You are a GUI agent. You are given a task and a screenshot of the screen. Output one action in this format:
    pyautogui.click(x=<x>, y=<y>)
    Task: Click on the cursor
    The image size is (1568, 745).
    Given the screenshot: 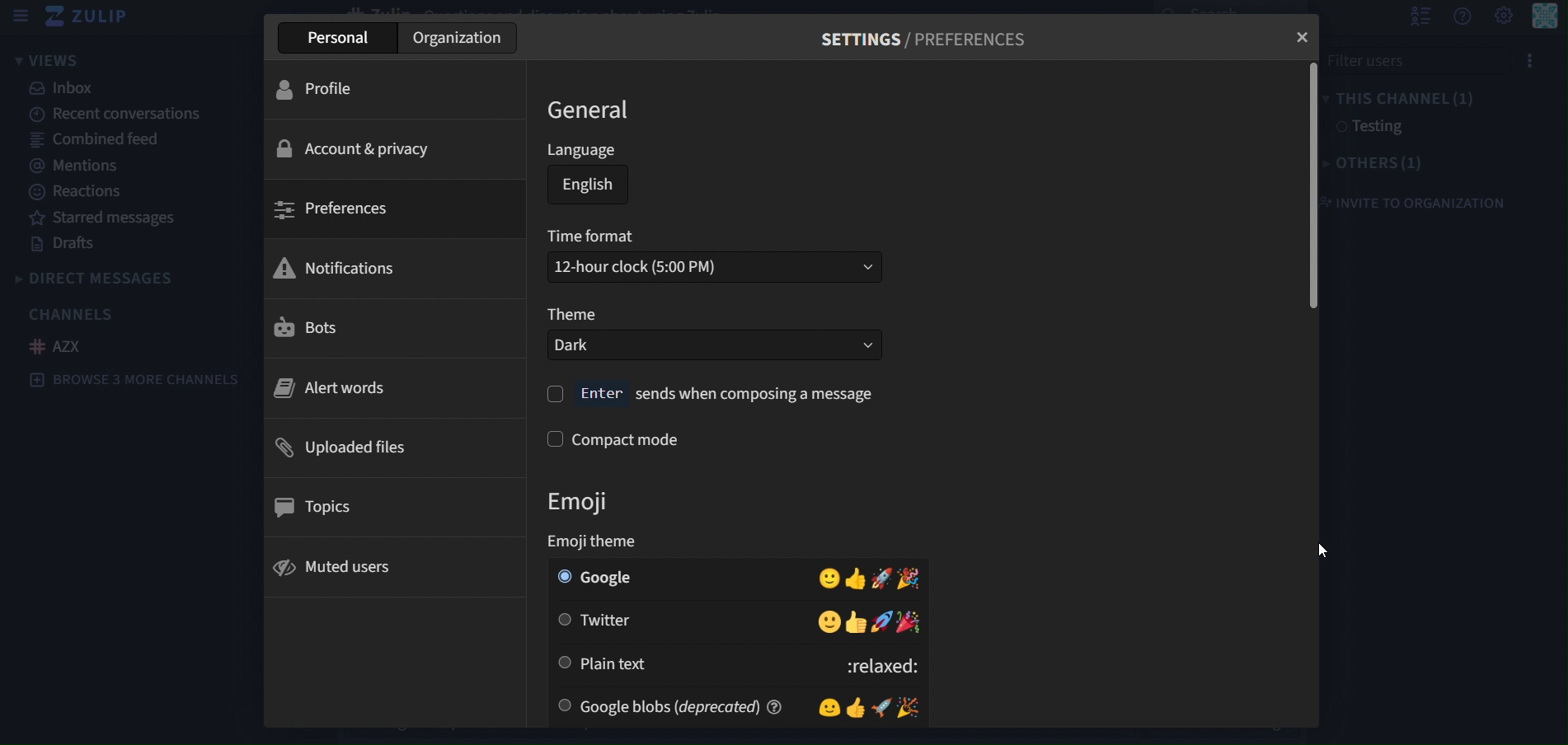 What is the action you would take?
    pyautogui.click(x=1321, y=551)
    